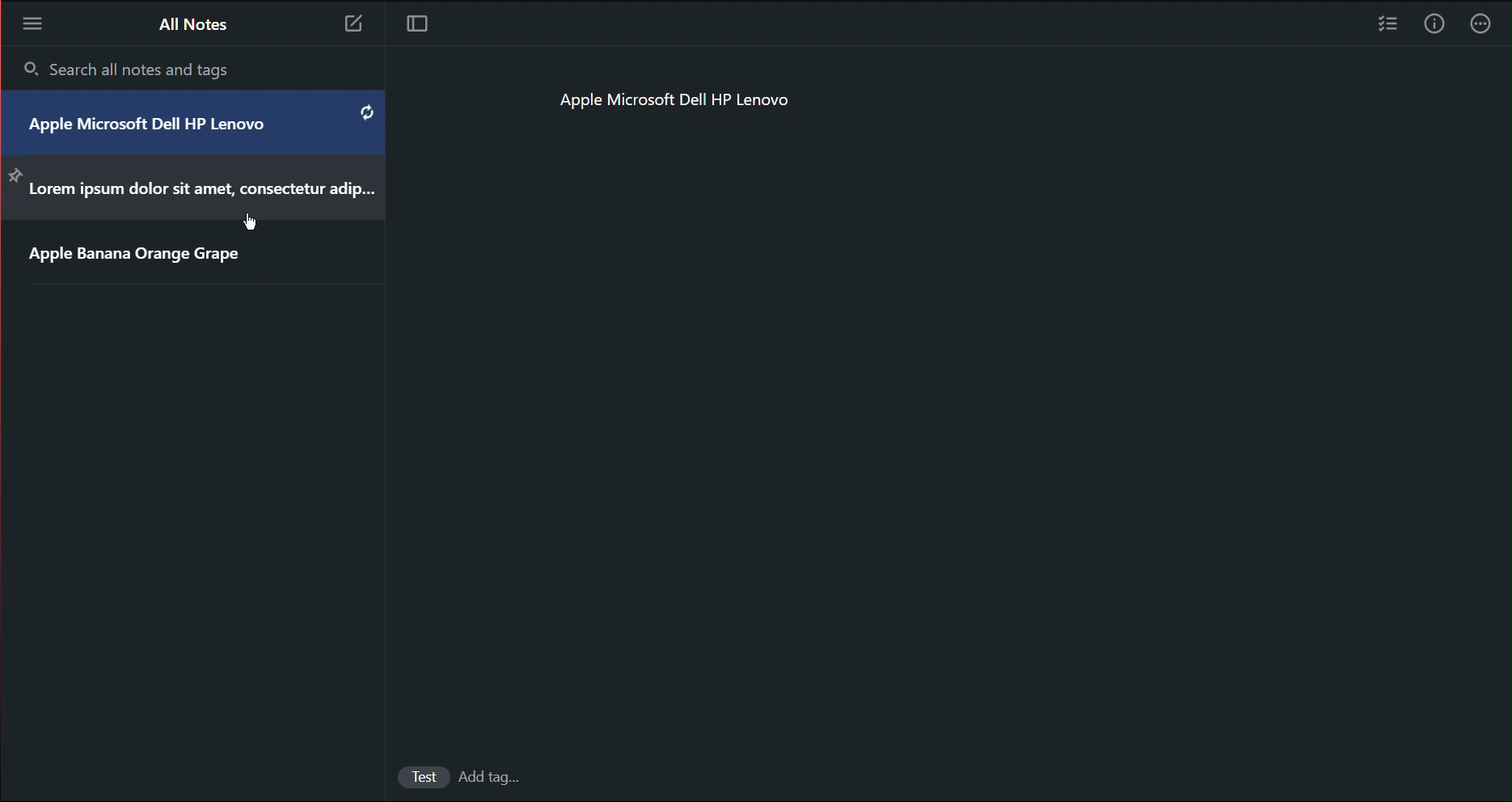  I want to click on More, so click(32, 23).